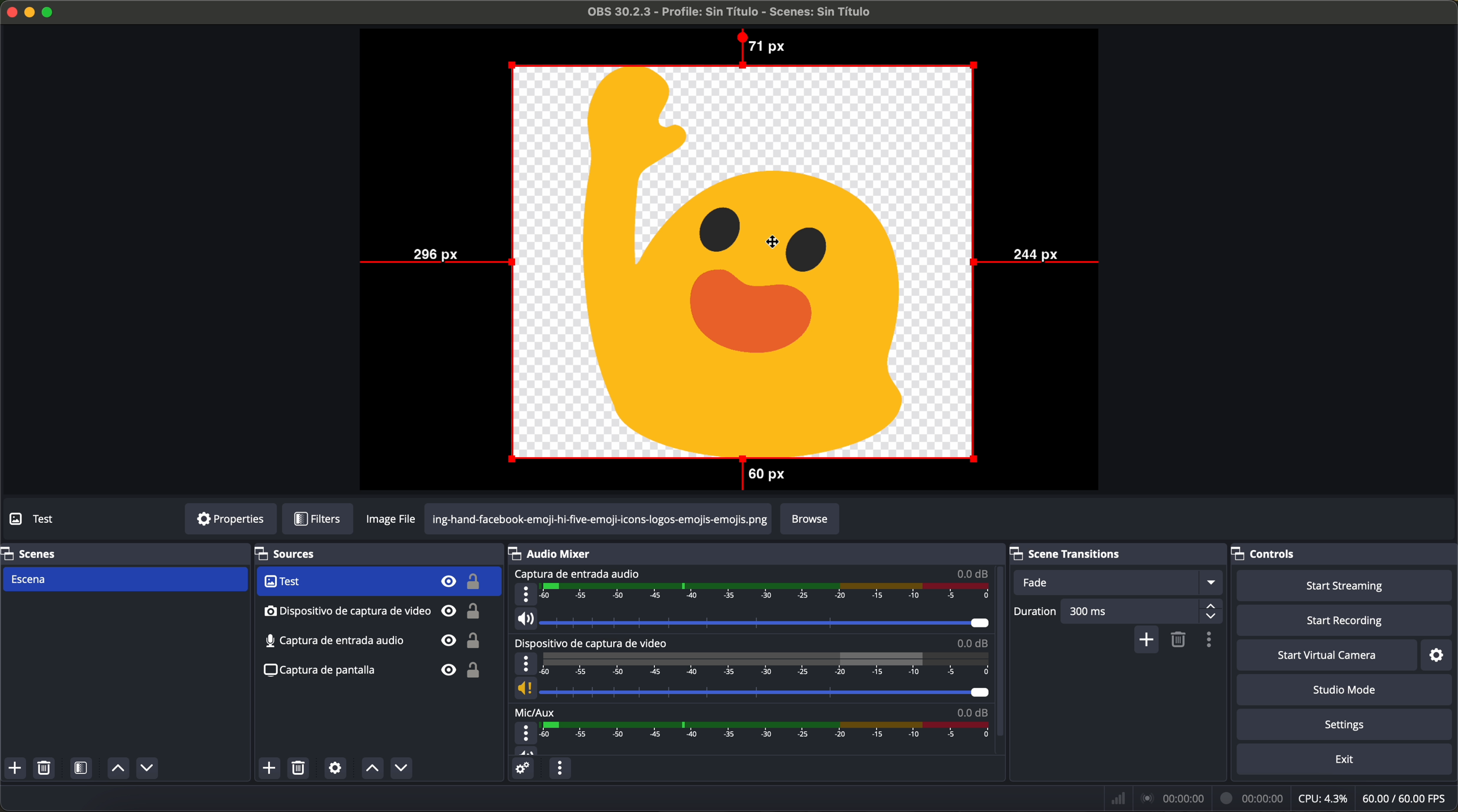  Describe the element at coordinates (598, 518) in the screenshot. I see `png url` at that location.